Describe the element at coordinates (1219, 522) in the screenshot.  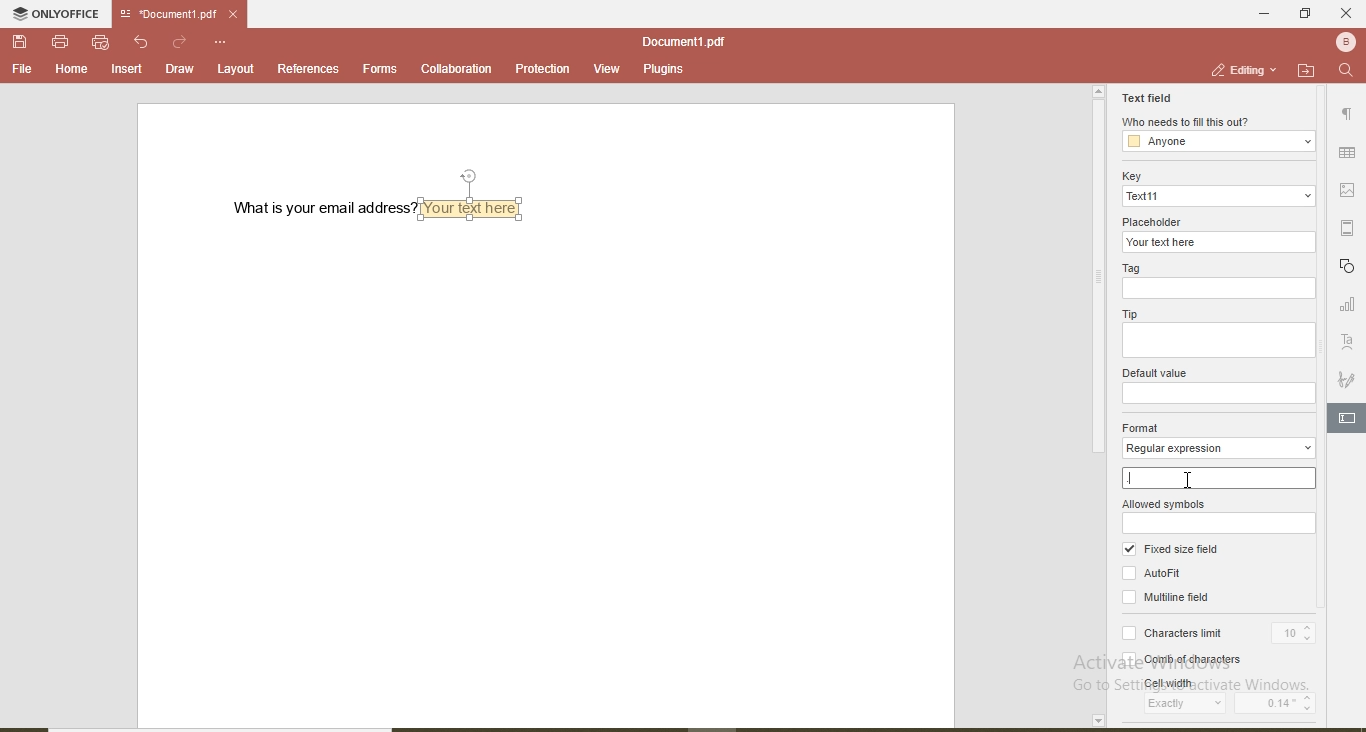
I see `allowed symbols input` at that location.